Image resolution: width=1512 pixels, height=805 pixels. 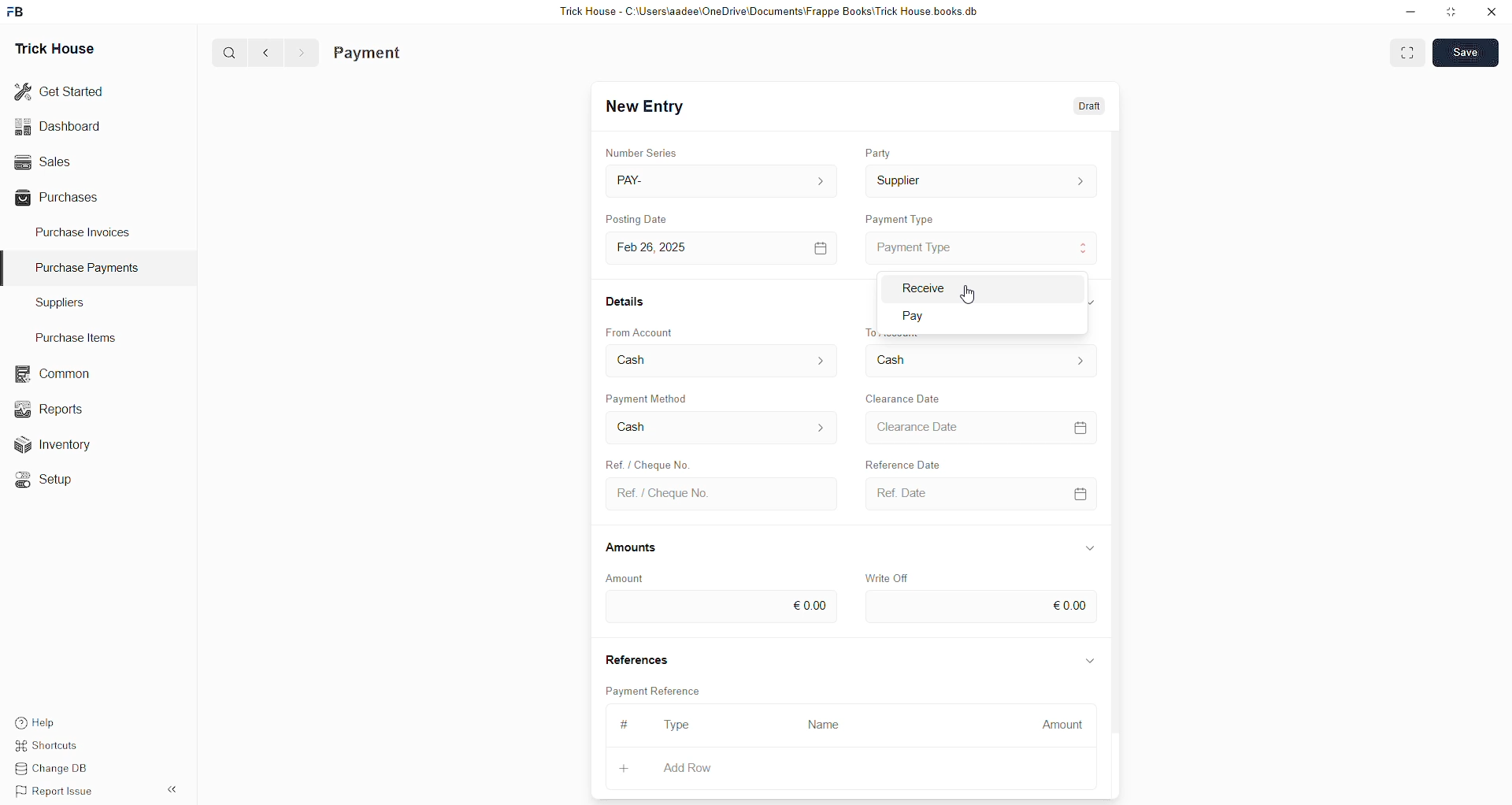 What do you see at coordinates (636, 658) in the screenshot?
I see `References` at bounding box center [636, 658].